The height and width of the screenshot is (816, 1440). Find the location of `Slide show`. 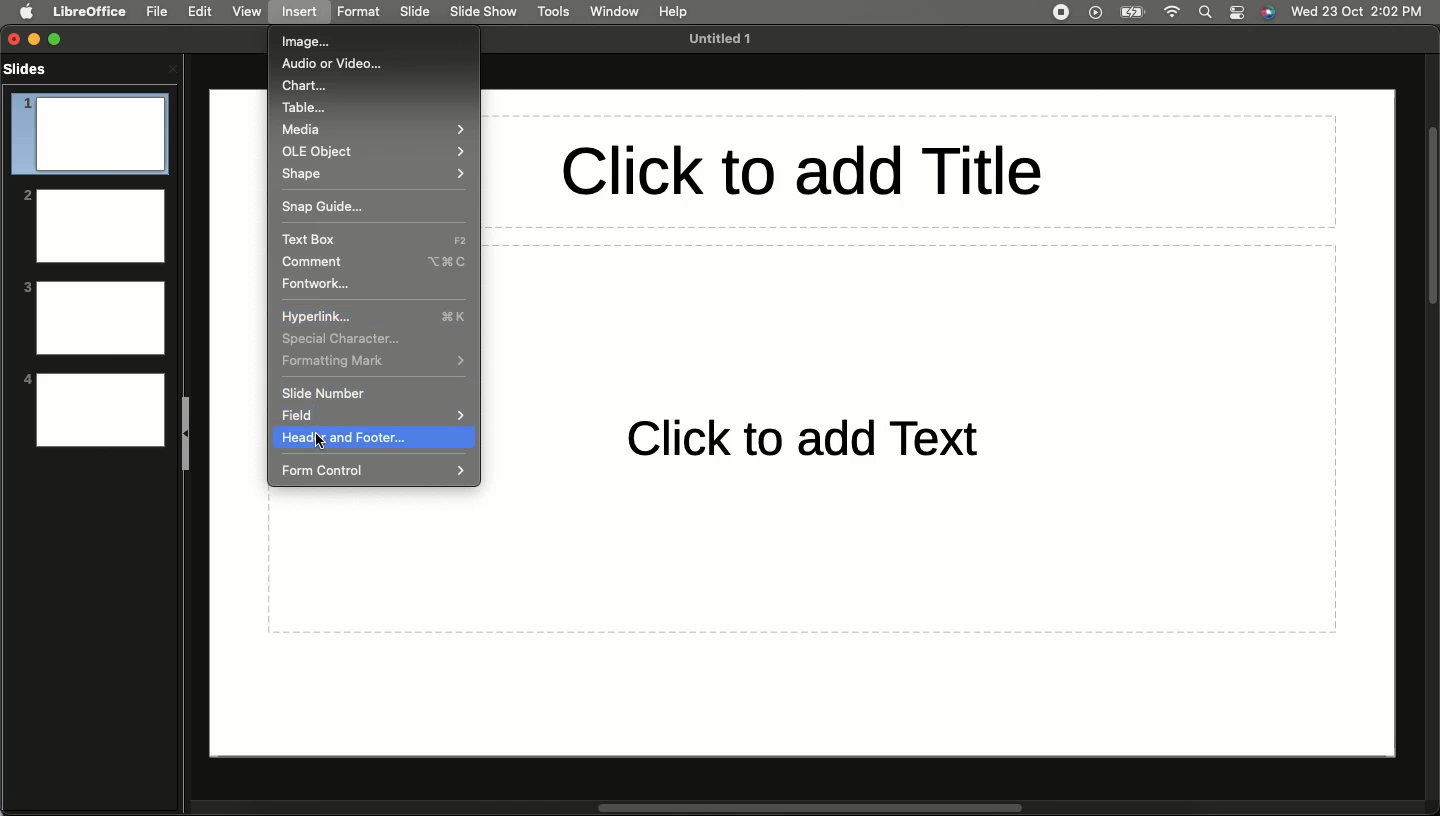

Slide show is located at coordinates (486, 12).